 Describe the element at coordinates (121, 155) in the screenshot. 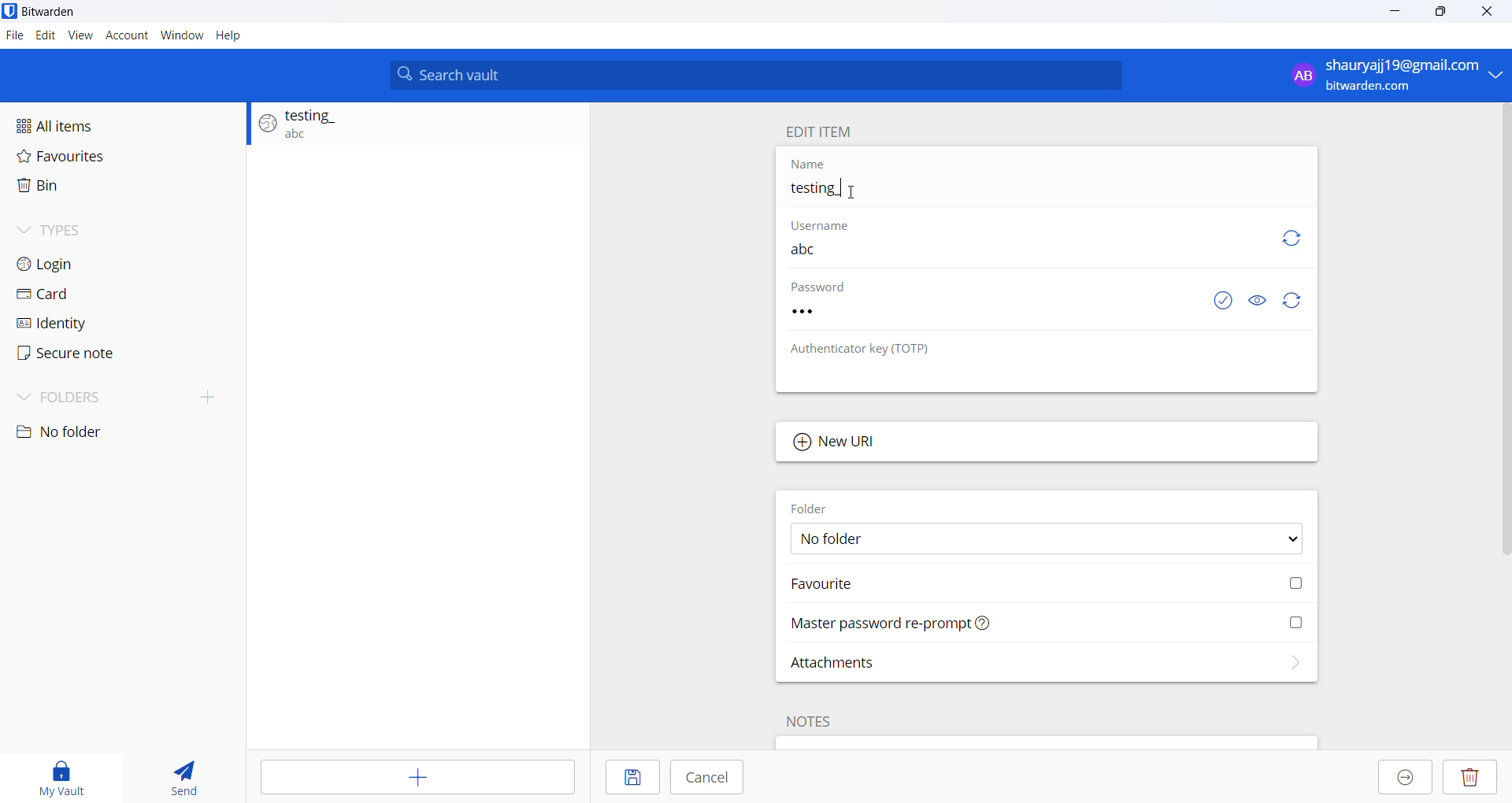

I see `Favourites` at that location.